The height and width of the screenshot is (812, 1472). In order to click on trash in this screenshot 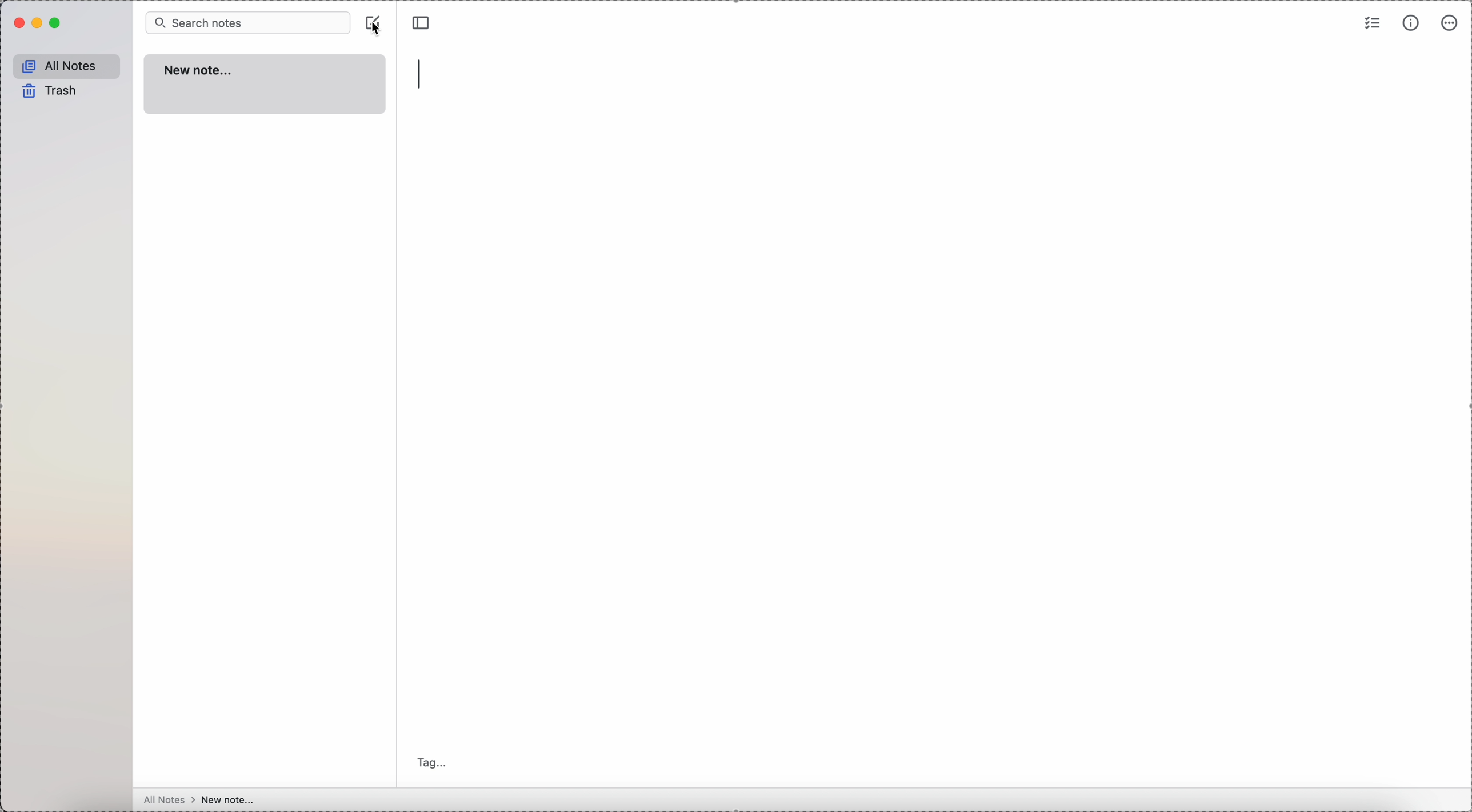, I will do `click(51, 91)`.